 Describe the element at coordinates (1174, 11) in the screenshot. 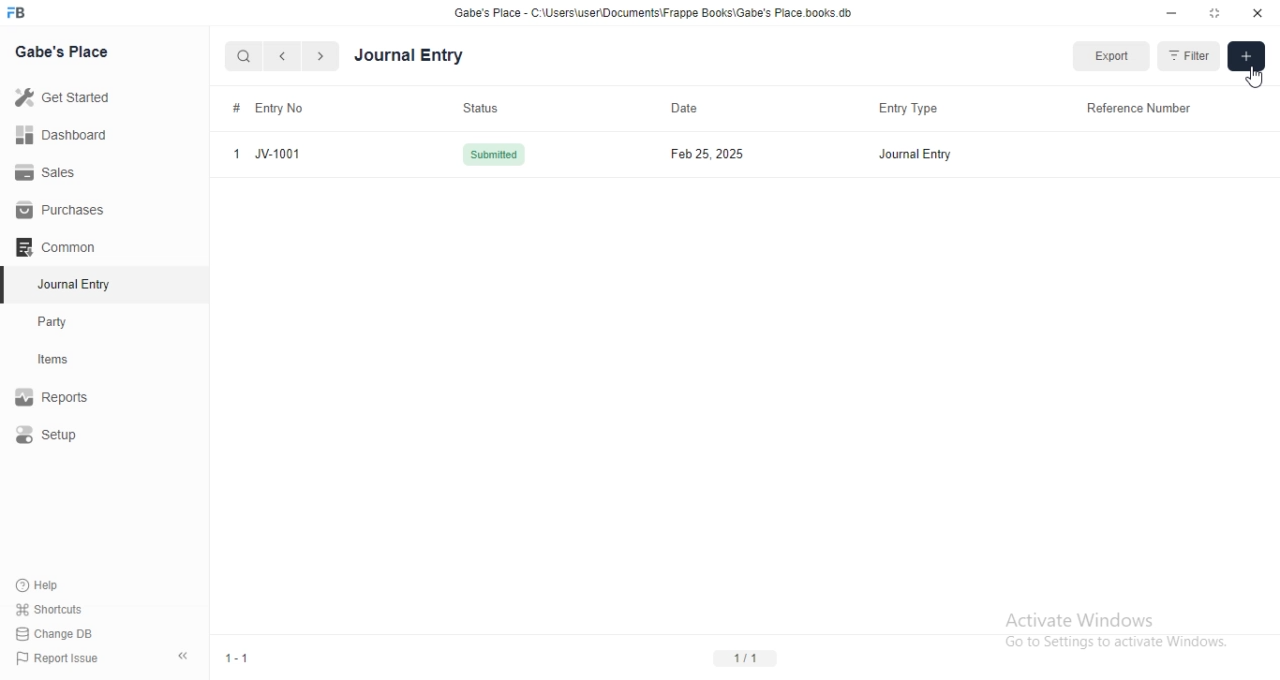

I see `minimize` at that location.